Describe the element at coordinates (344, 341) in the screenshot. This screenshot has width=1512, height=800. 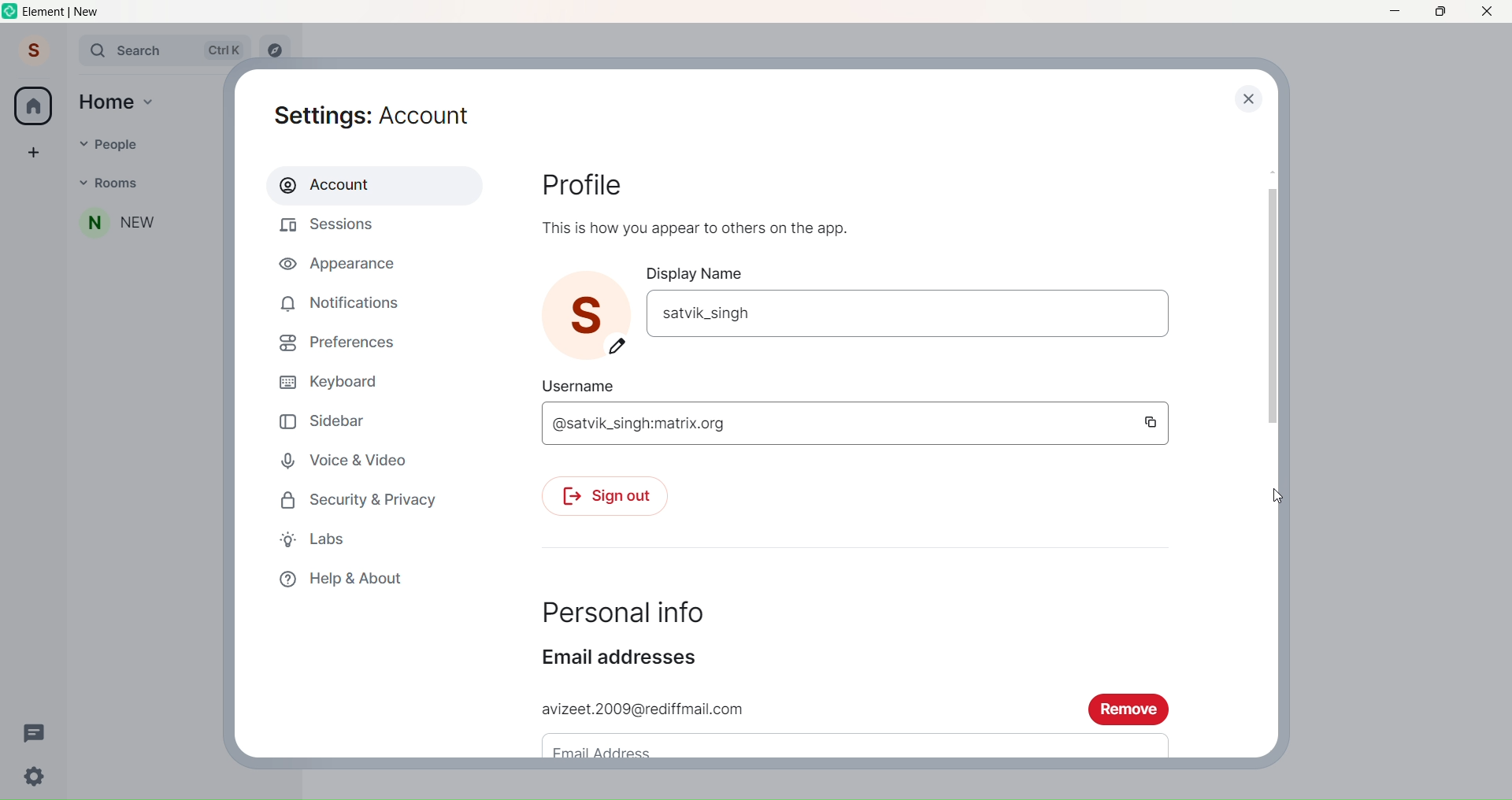
I see `Preferences` at that location.